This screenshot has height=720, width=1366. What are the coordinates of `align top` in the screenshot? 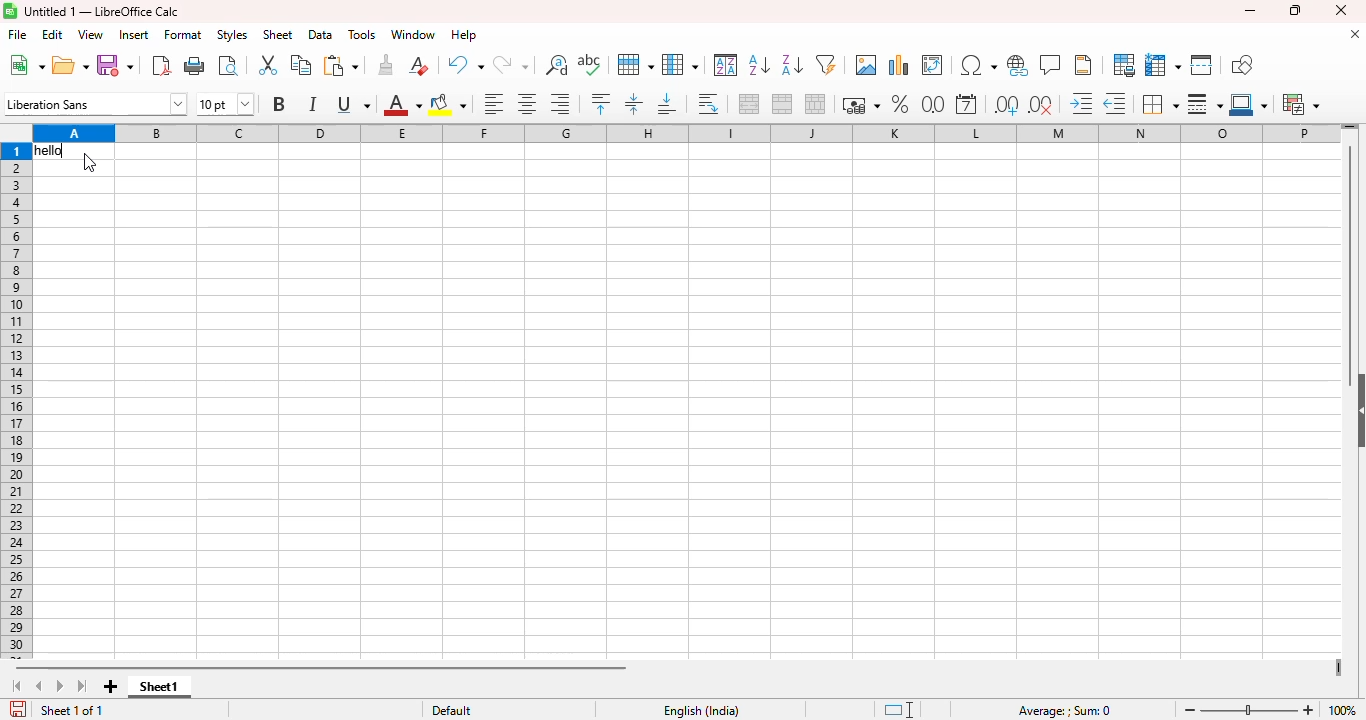 It's located at (600, 103).